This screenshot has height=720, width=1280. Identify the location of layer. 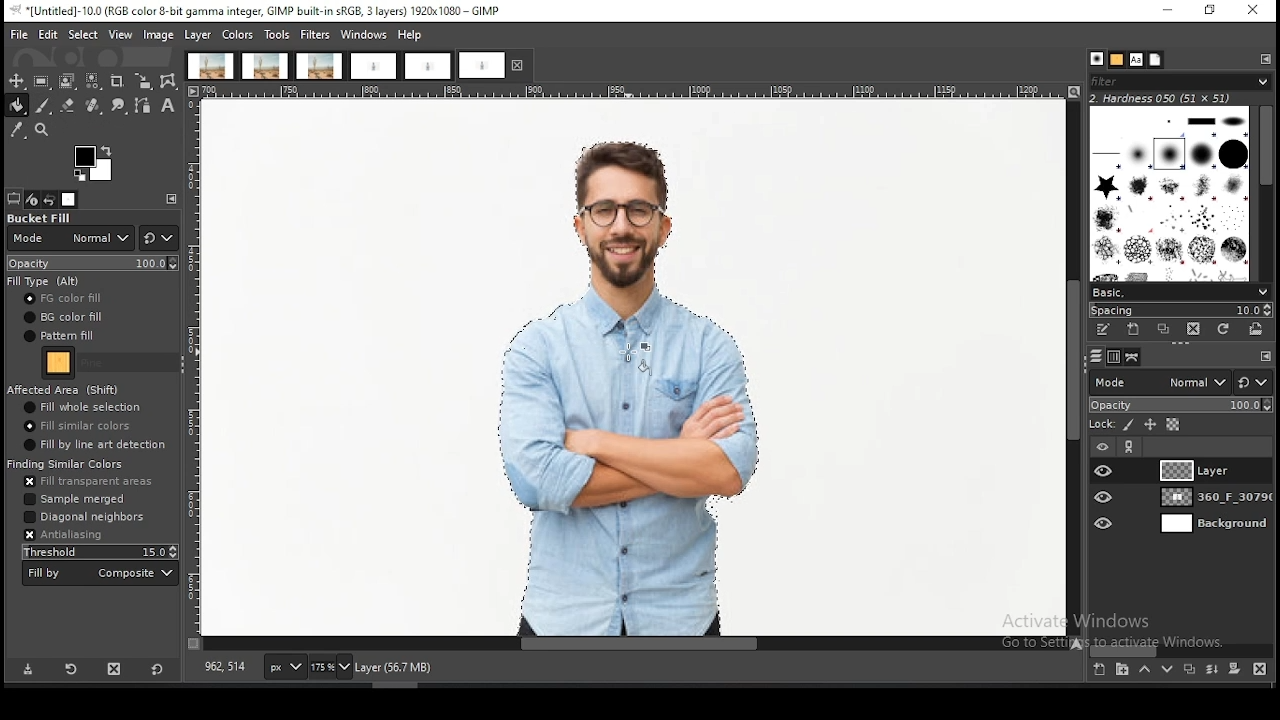
(1212, 470).